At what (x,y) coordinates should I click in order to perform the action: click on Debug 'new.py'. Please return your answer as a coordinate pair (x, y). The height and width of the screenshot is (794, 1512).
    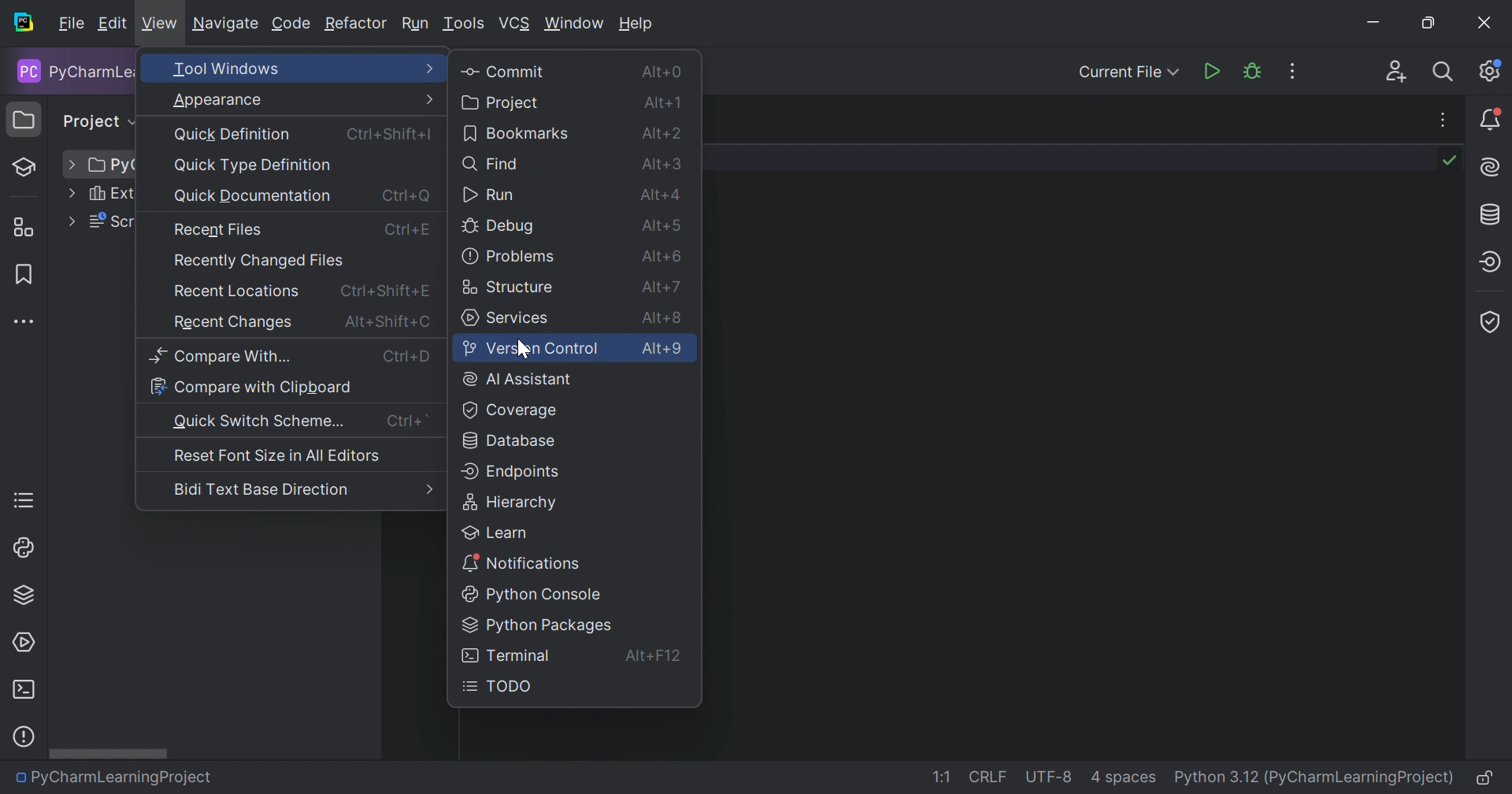
    Looking at the image, I should click on (1251, 72).